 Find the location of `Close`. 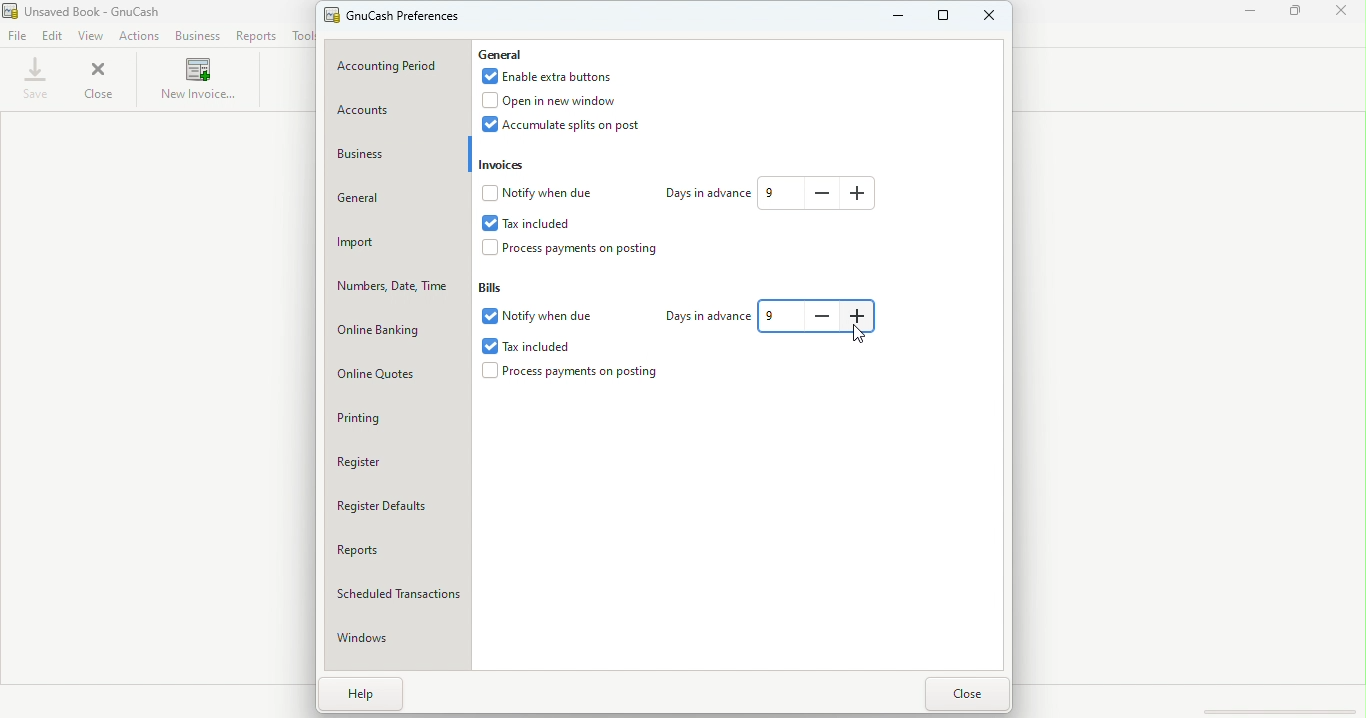

Close is located at coordinates (969, 694).